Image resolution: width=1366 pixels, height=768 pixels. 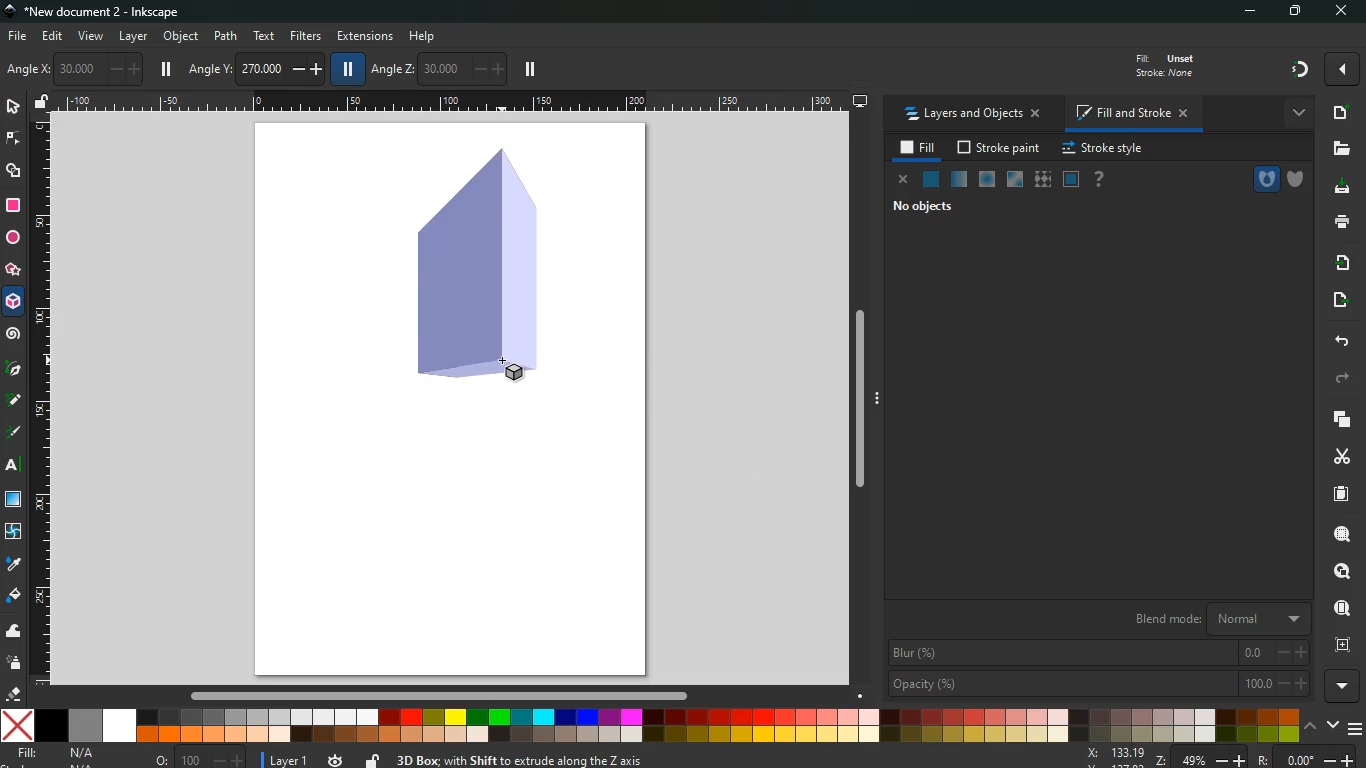 I want to click on text, so click(x=262, y=36).